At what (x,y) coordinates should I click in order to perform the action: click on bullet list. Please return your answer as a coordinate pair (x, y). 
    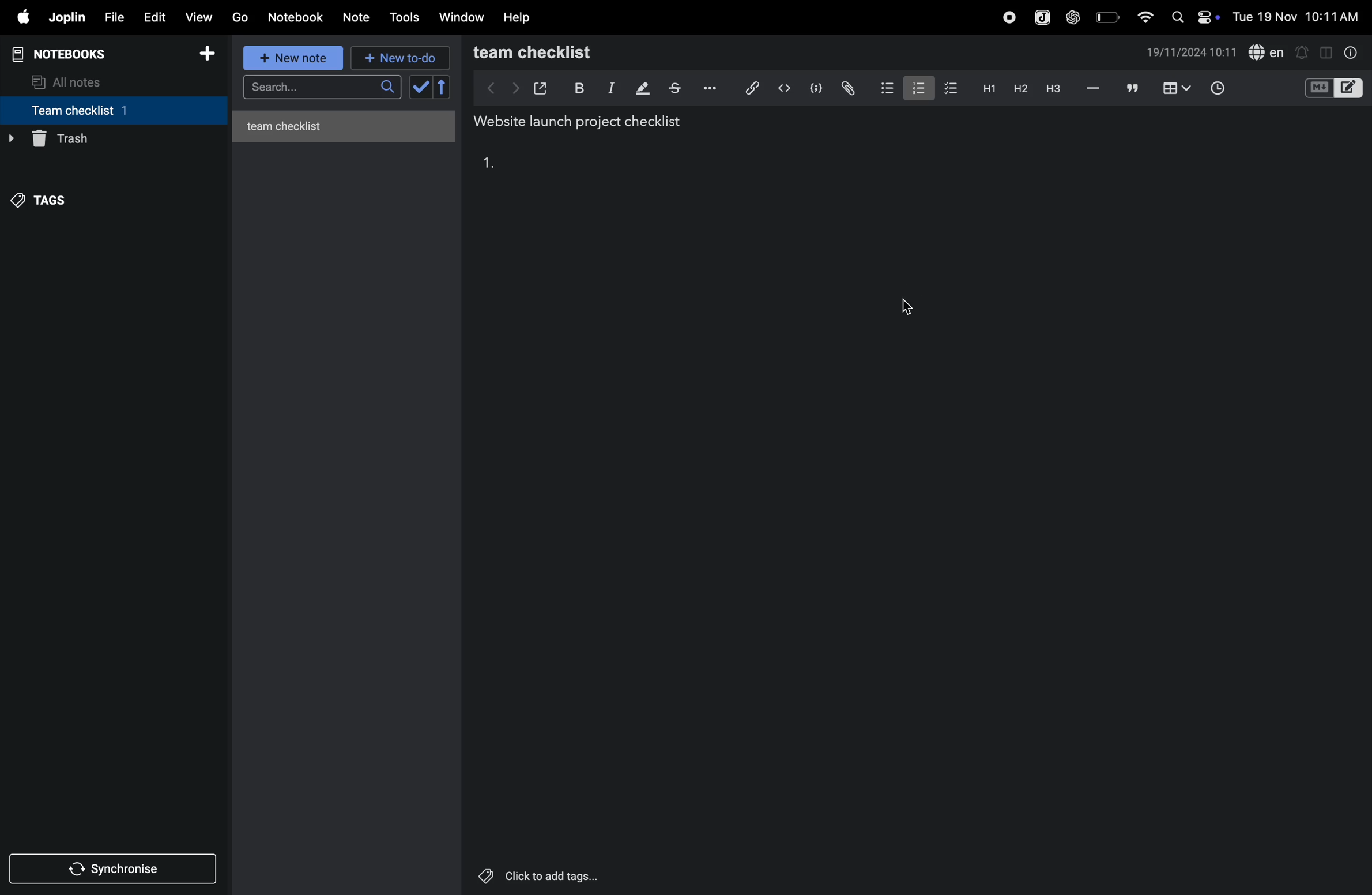
    Looking at the image, I should click on (884, 88).